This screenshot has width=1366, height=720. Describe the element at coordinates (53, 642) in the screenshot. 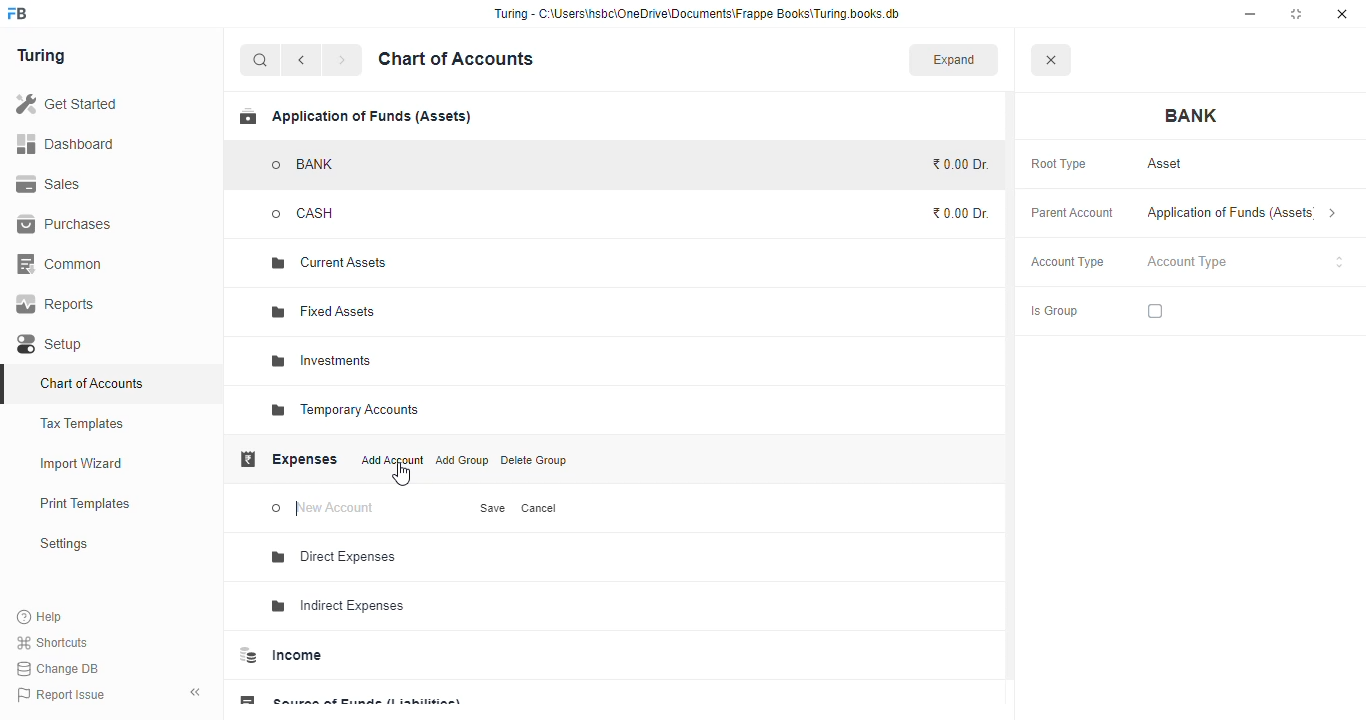

I see `shortcuts` at that location.